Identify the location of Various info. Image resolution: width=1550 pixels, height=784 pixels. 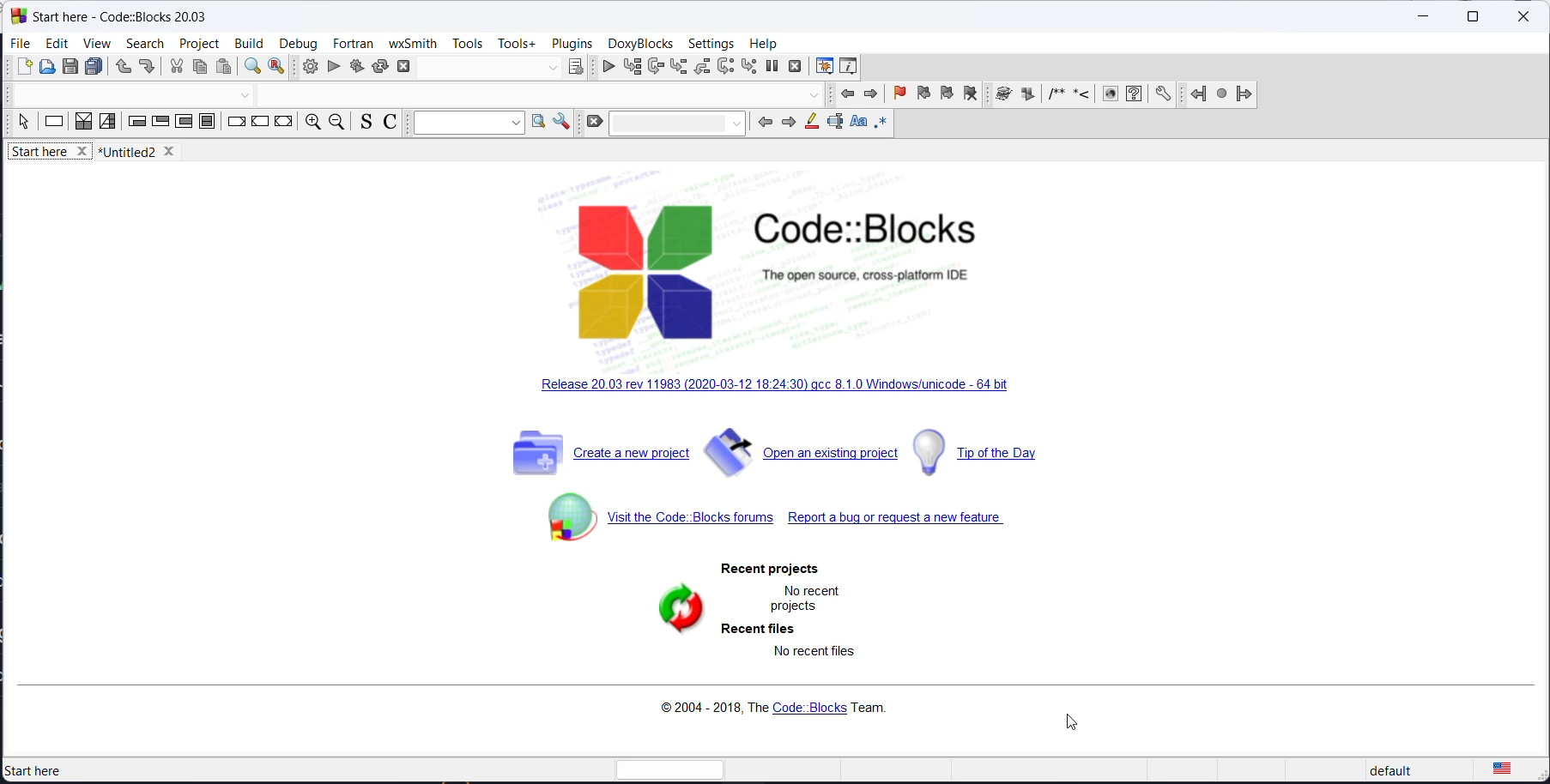
(851, 66).